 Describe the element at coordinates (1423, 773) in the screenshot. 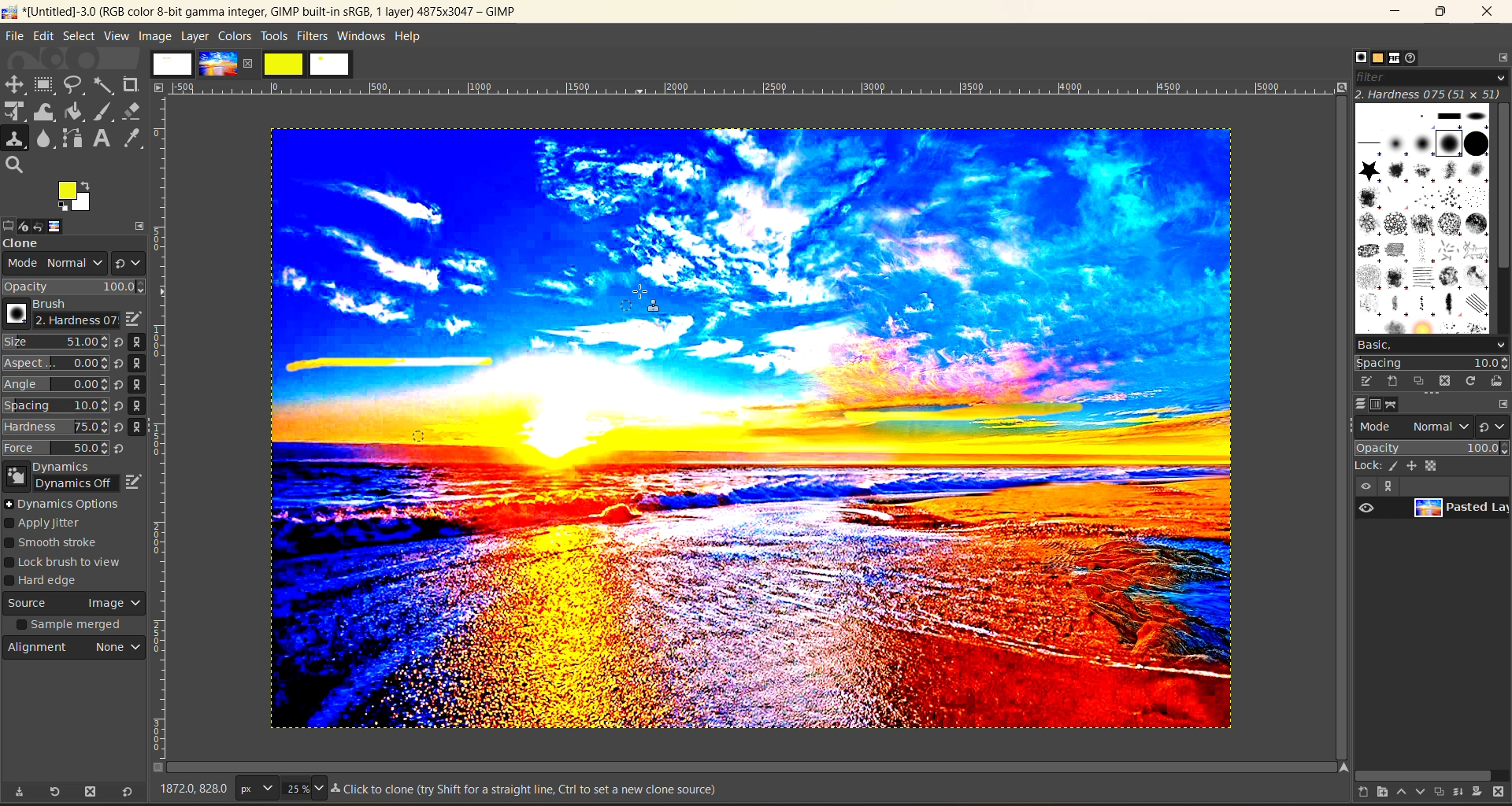

I see `horizontal scroll bar` at that location.